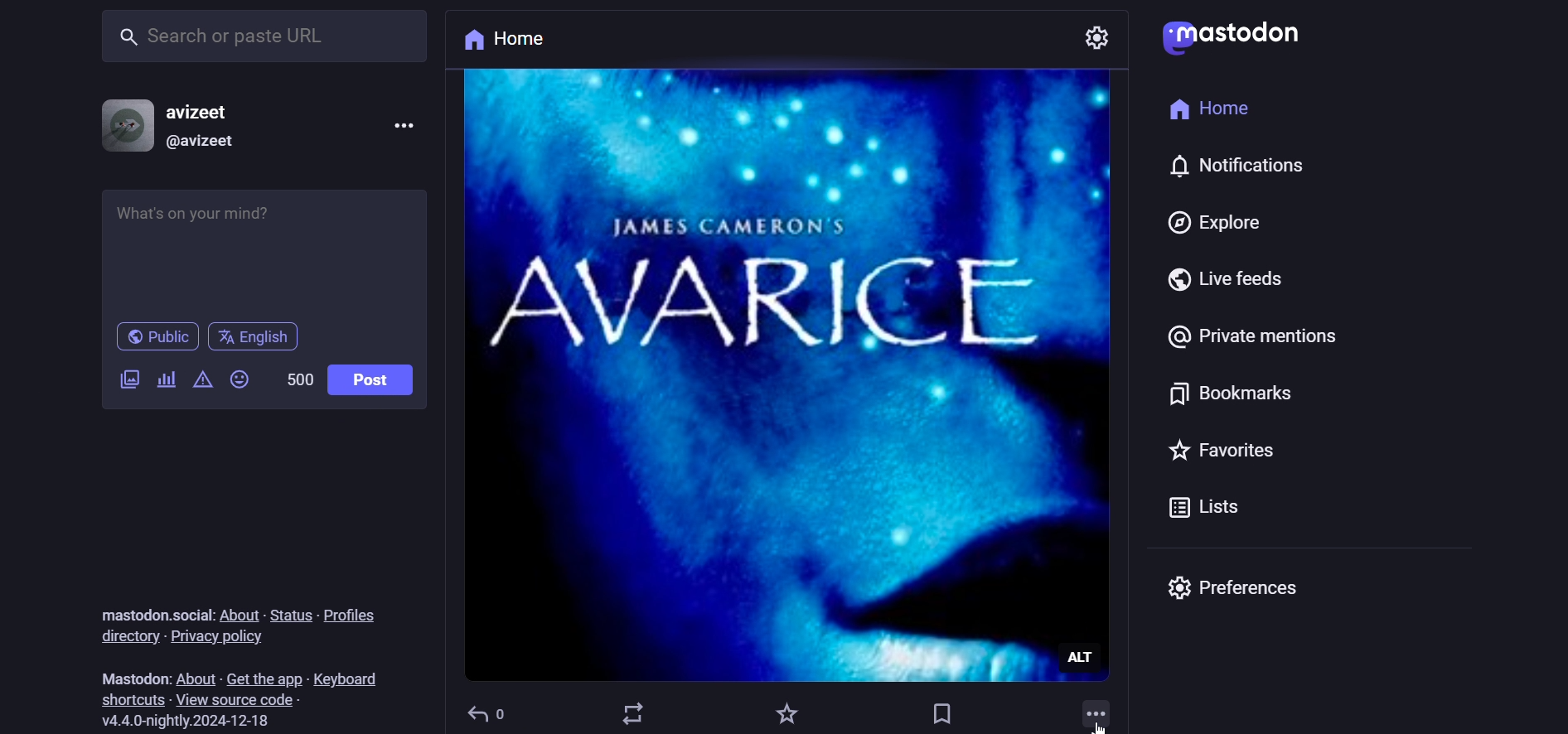 The width and height of the screenshot is (1568, 734). What do you see at coordinates (133, 699) in the screenshot?
I see `shortcut` at bounding box center [133, 699].